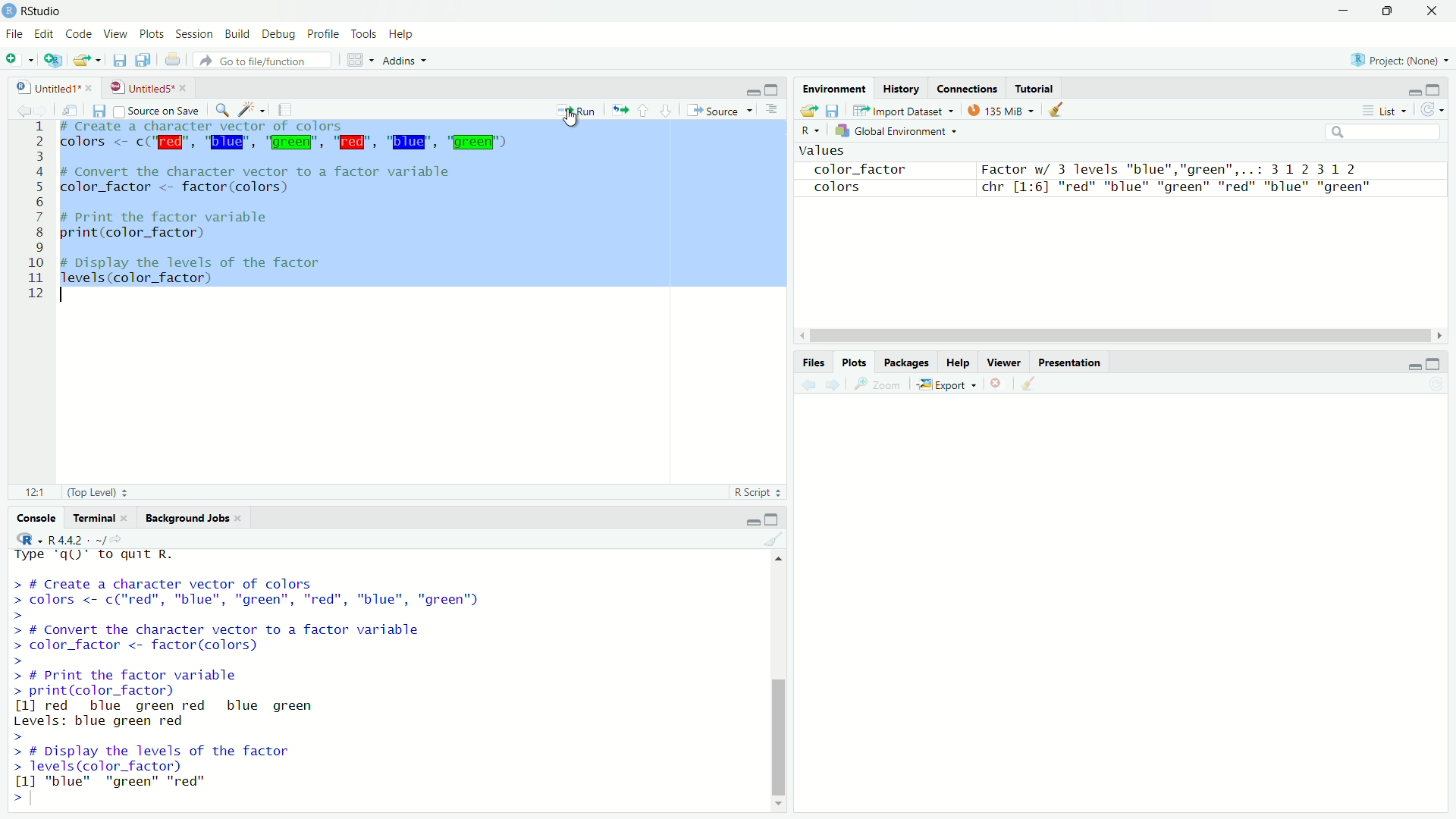 The width and height of the screenshot is (1456, 819). I want to click on clear objects from workspace, so click(1053, 110).